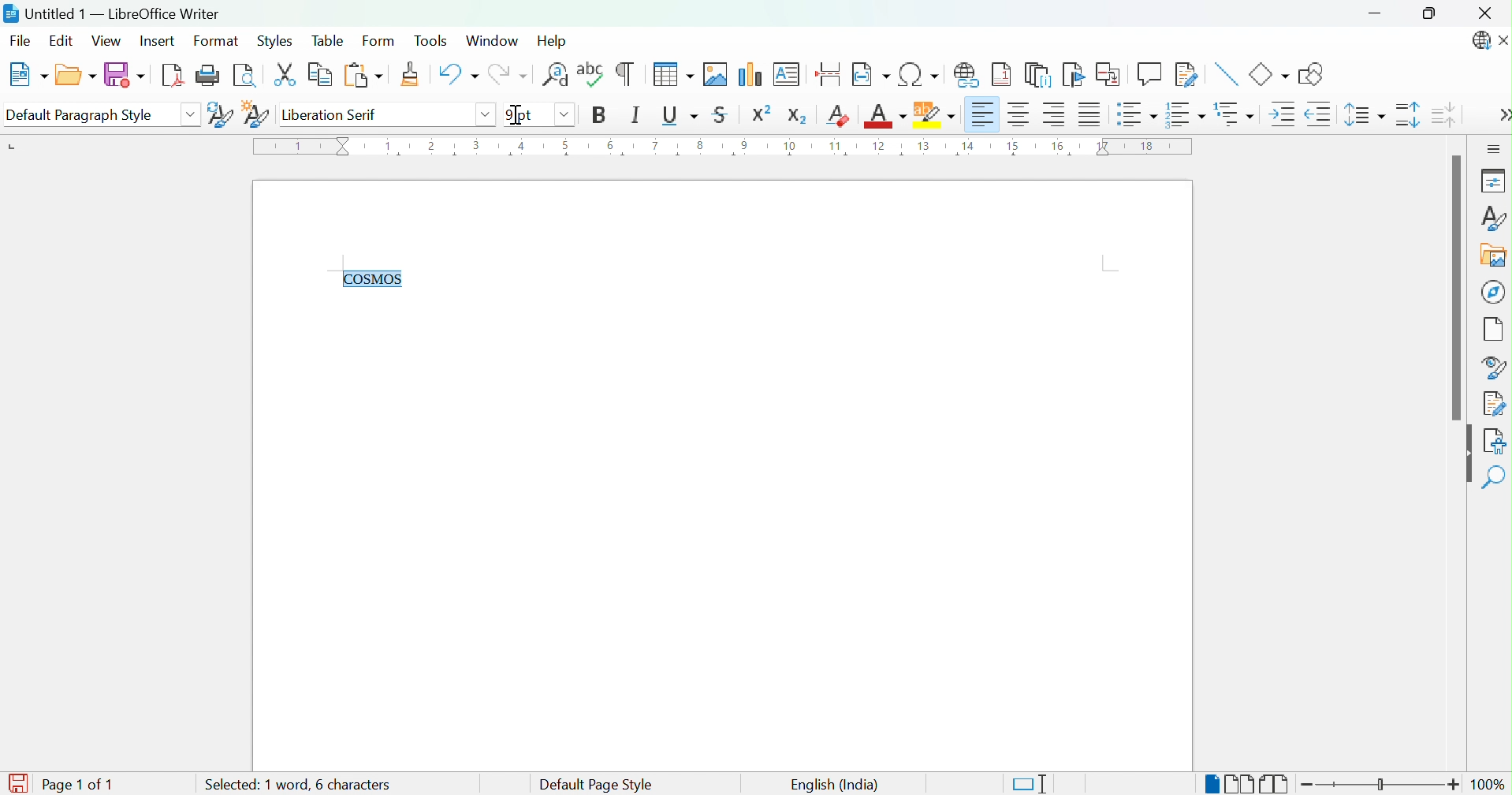  What do you see at coordinates (1492, 218) in the screenshot?
I see `Styles` at bounding box center [1492, 218].